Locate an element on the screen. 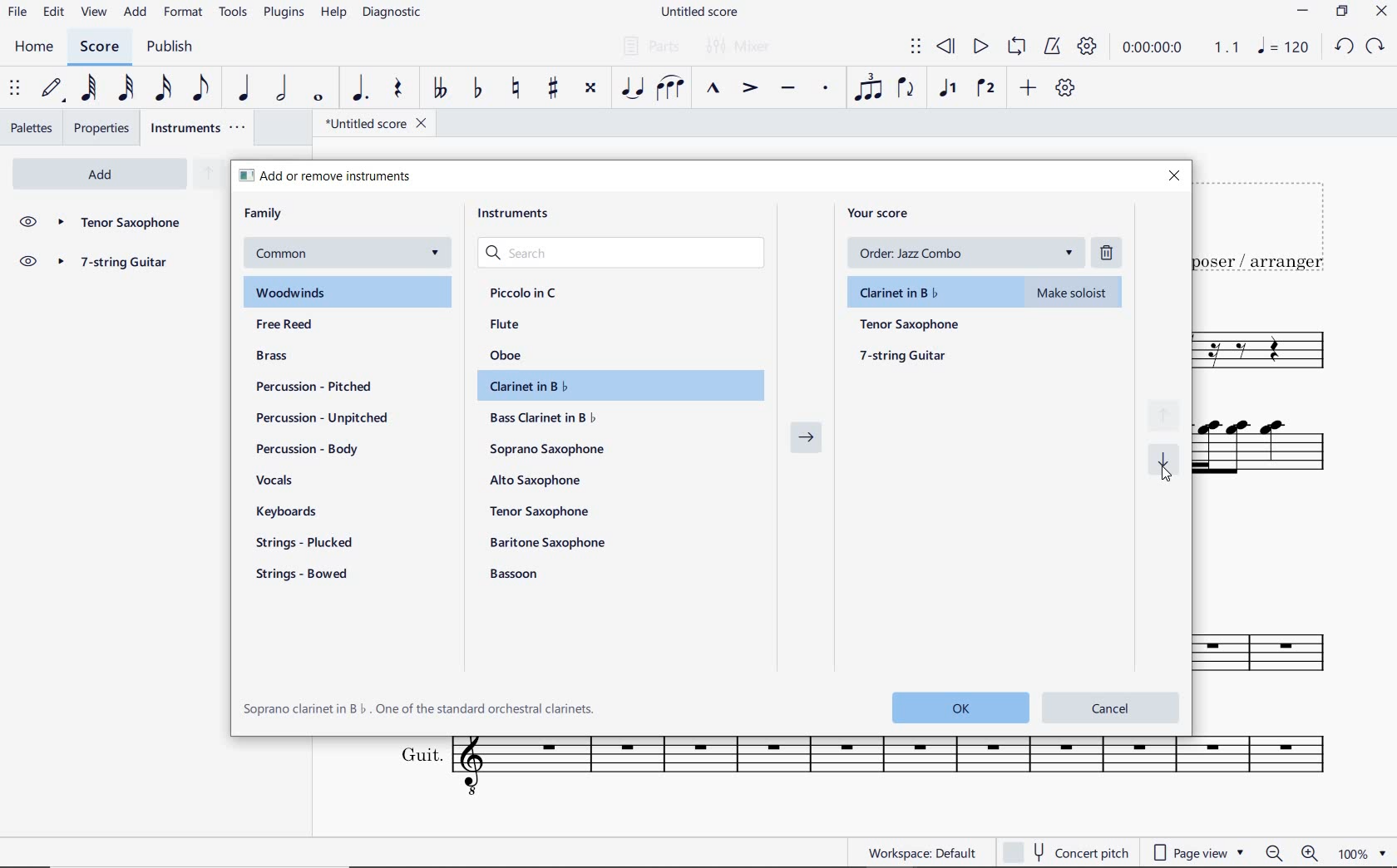  VOICE 1 is located at coordinates (947, 90).